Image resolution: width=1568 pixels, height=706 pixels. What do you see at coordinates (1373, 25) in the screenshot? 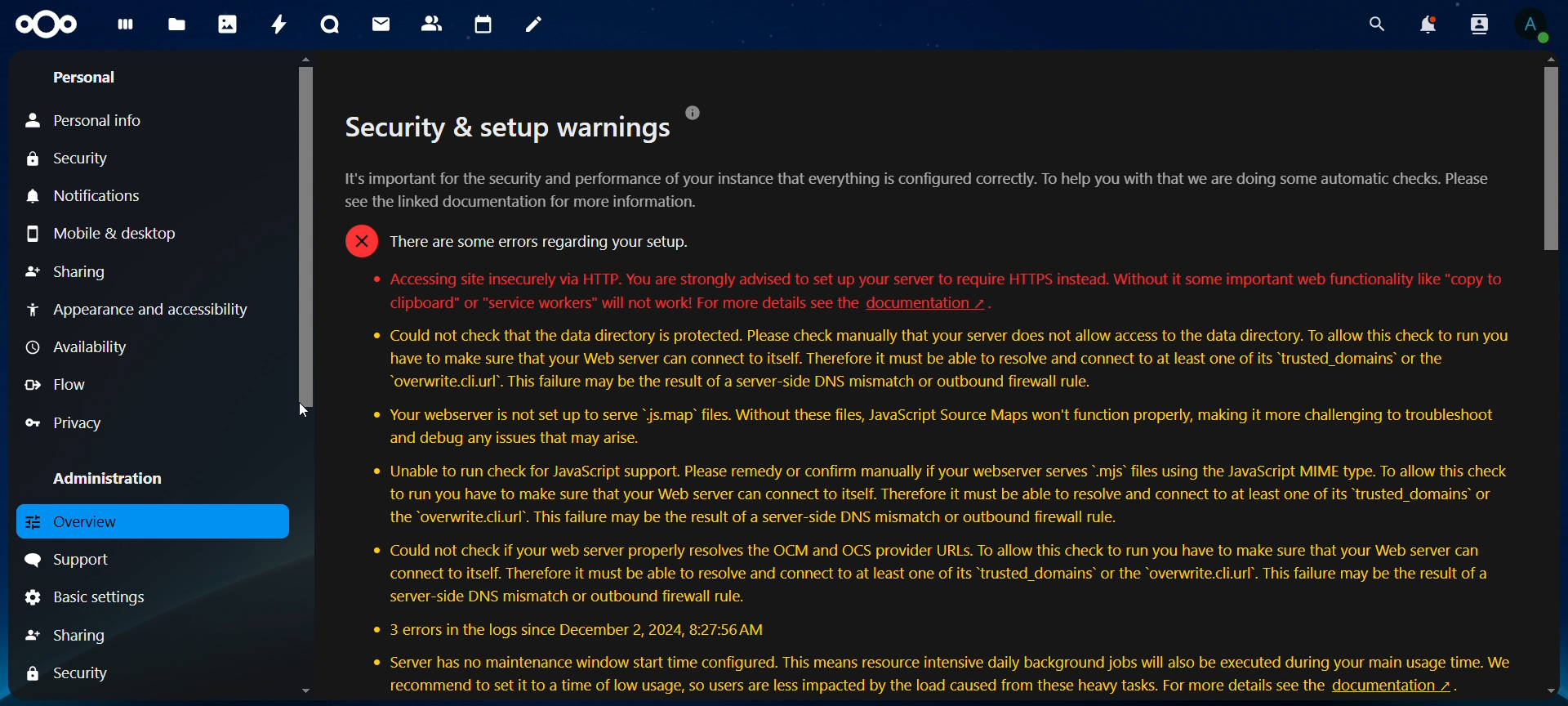
I see `search` at bounding box center [1373, 25].